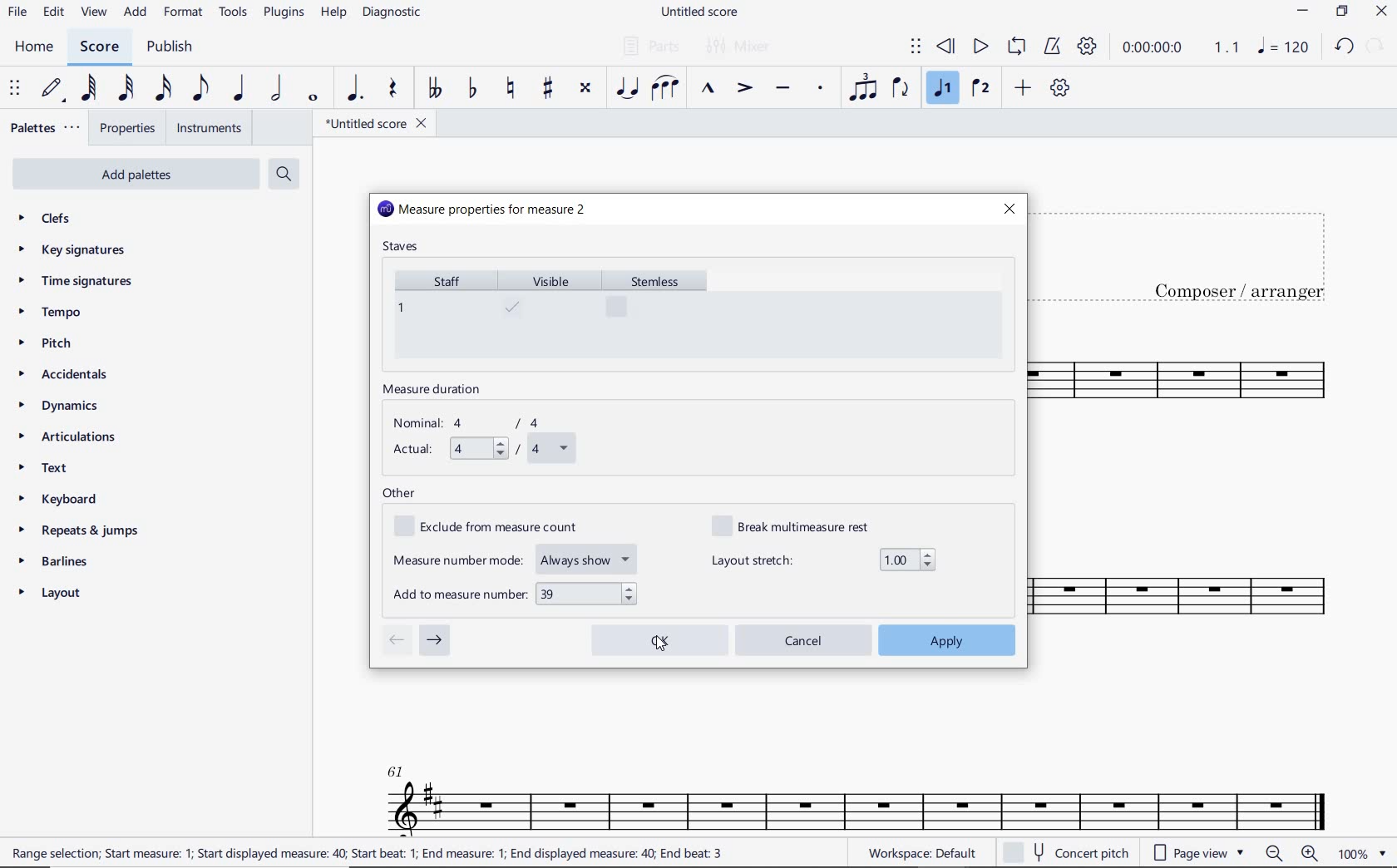 This screenshot has height=868, width=1397. Describe the element at coordinates (393, 91) in the screenshot. I see `REST` at that location.